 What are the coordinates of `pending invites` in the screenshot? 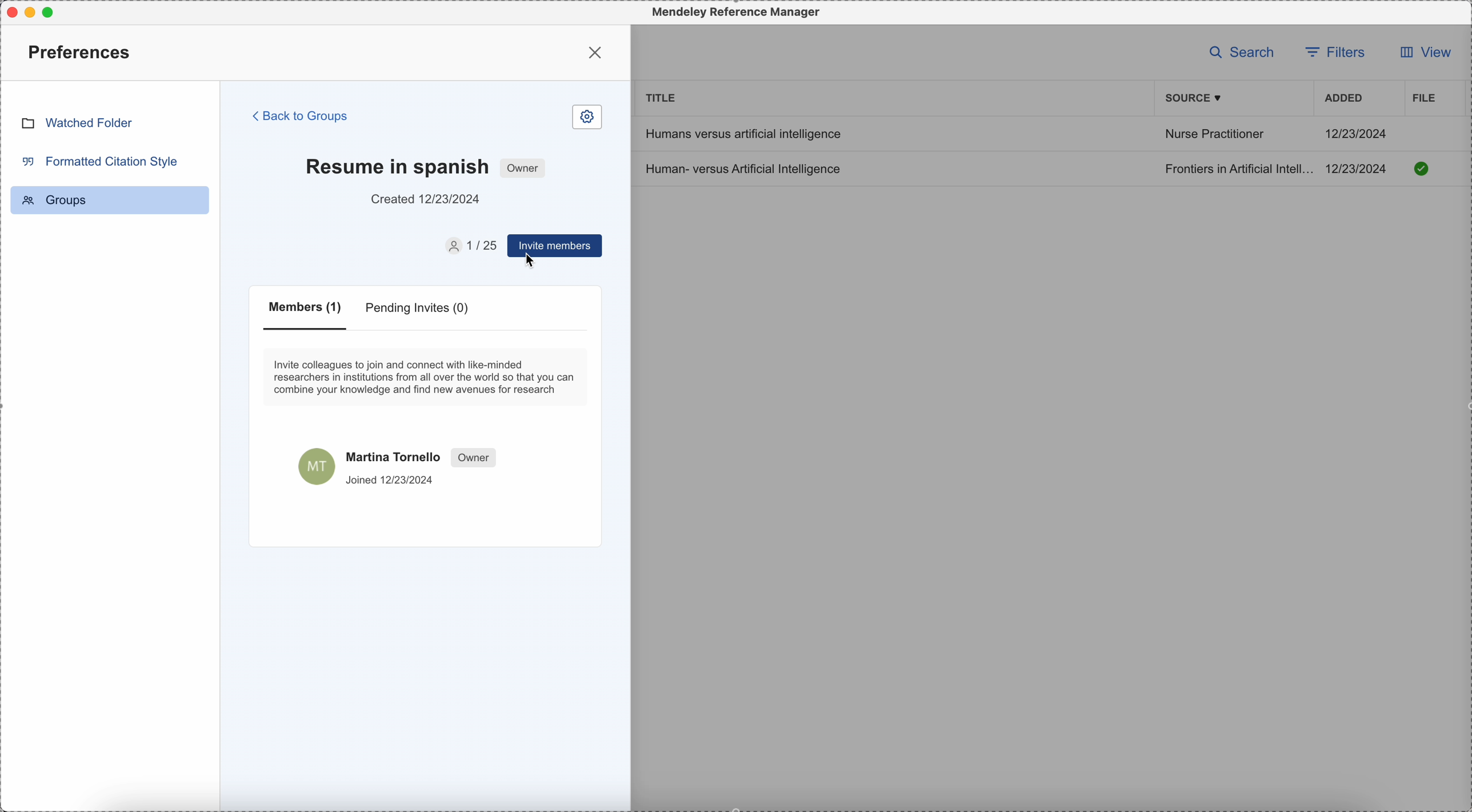 It's located at (419, 310).